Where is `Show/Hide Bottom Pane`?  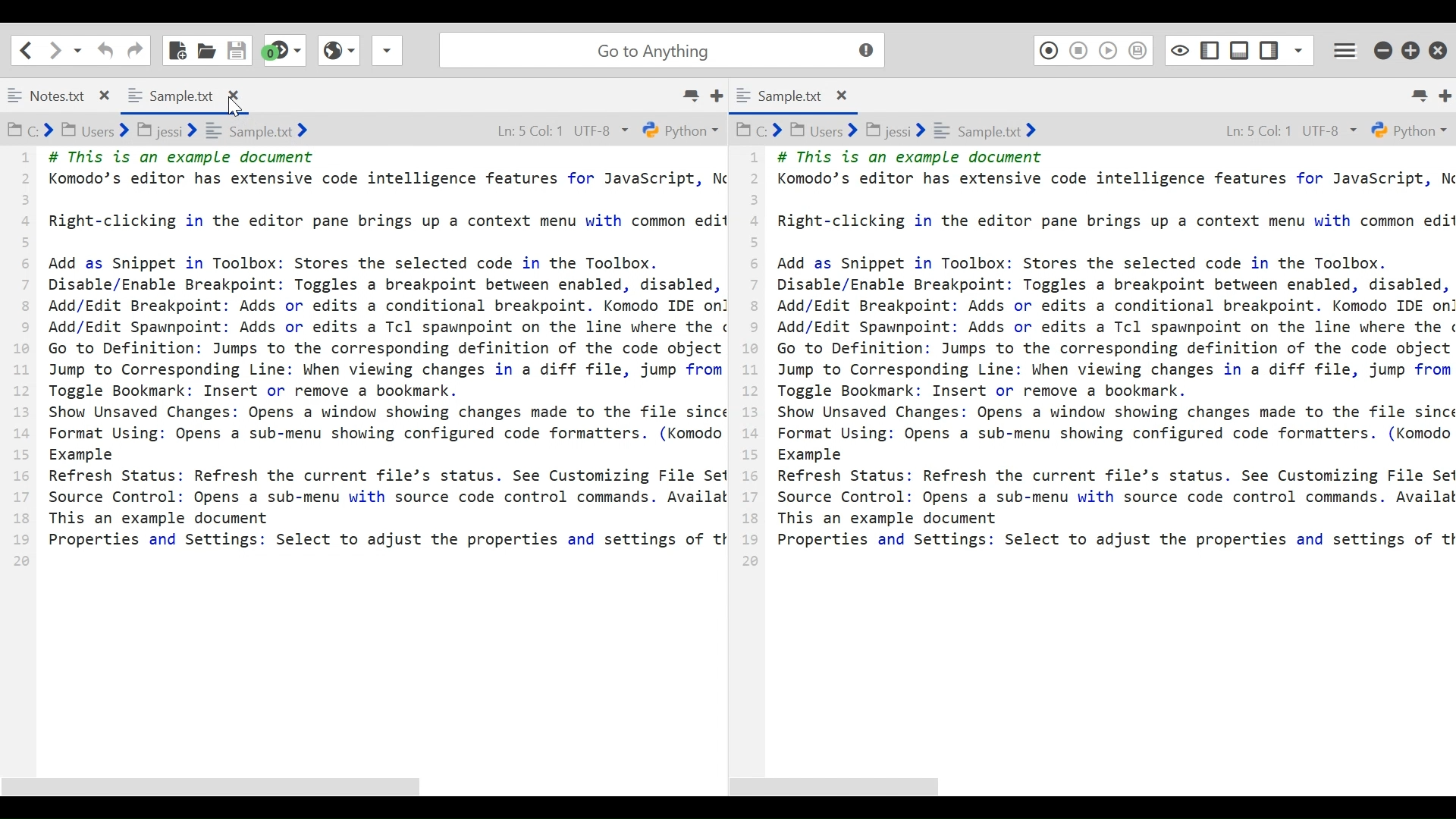
Show/Hide Bottom Pane is located at coordinates (1241, 49).